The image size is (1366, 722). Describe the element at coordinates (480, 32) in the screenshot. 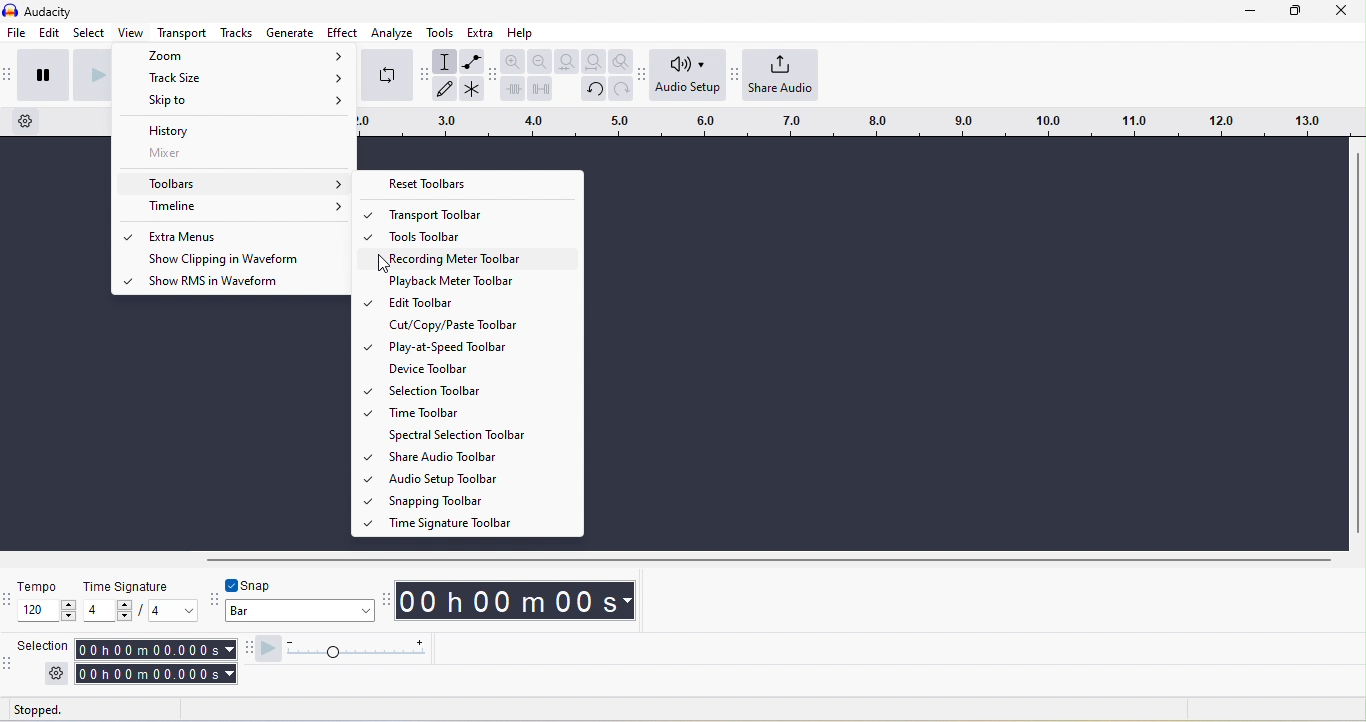

I see `extra` at that location.